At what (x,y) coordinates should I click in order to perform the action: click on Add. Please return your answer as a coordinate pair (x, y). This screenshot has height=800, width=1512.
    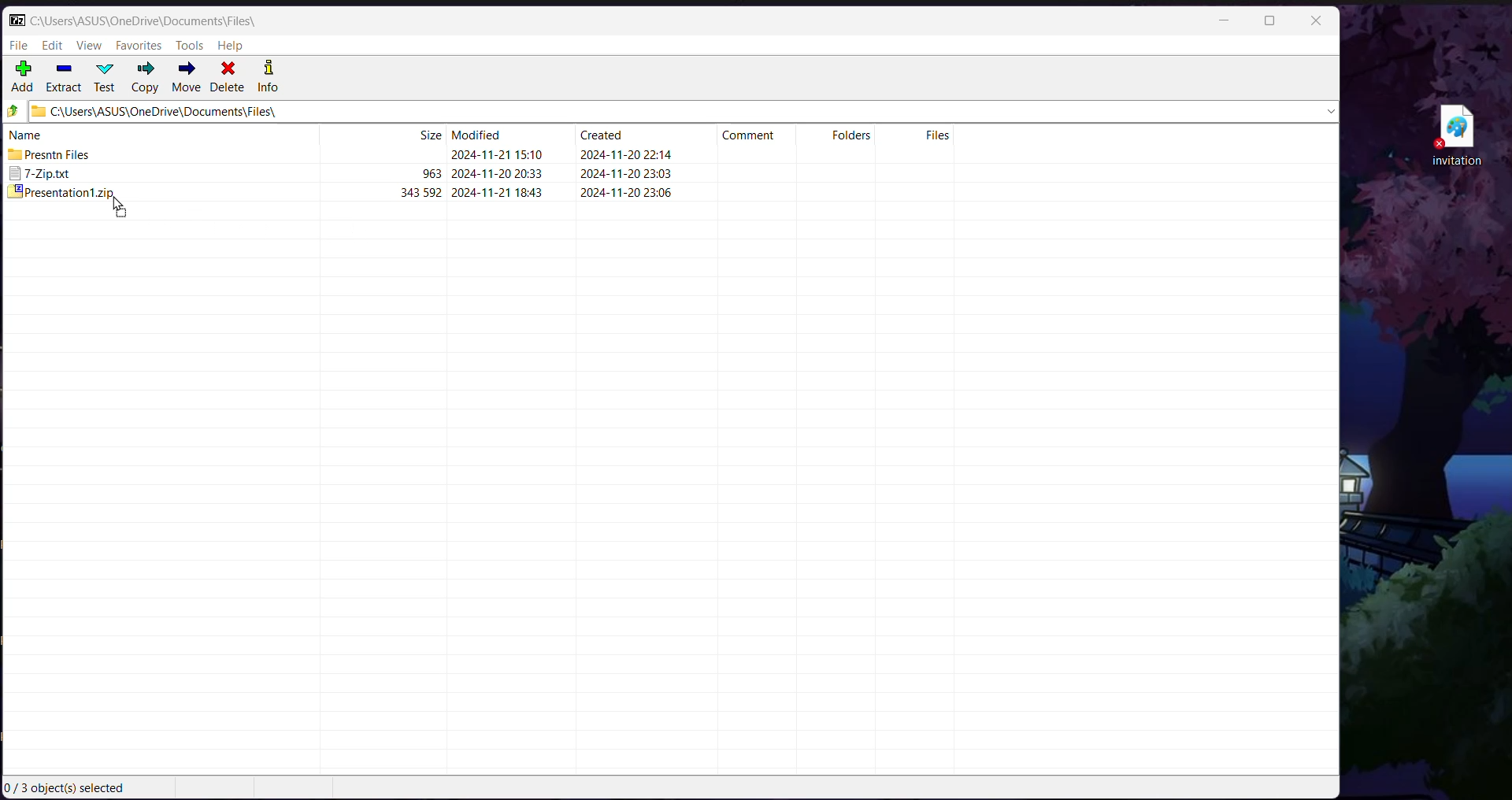
    Looking at the image, I should click on (24, 78).